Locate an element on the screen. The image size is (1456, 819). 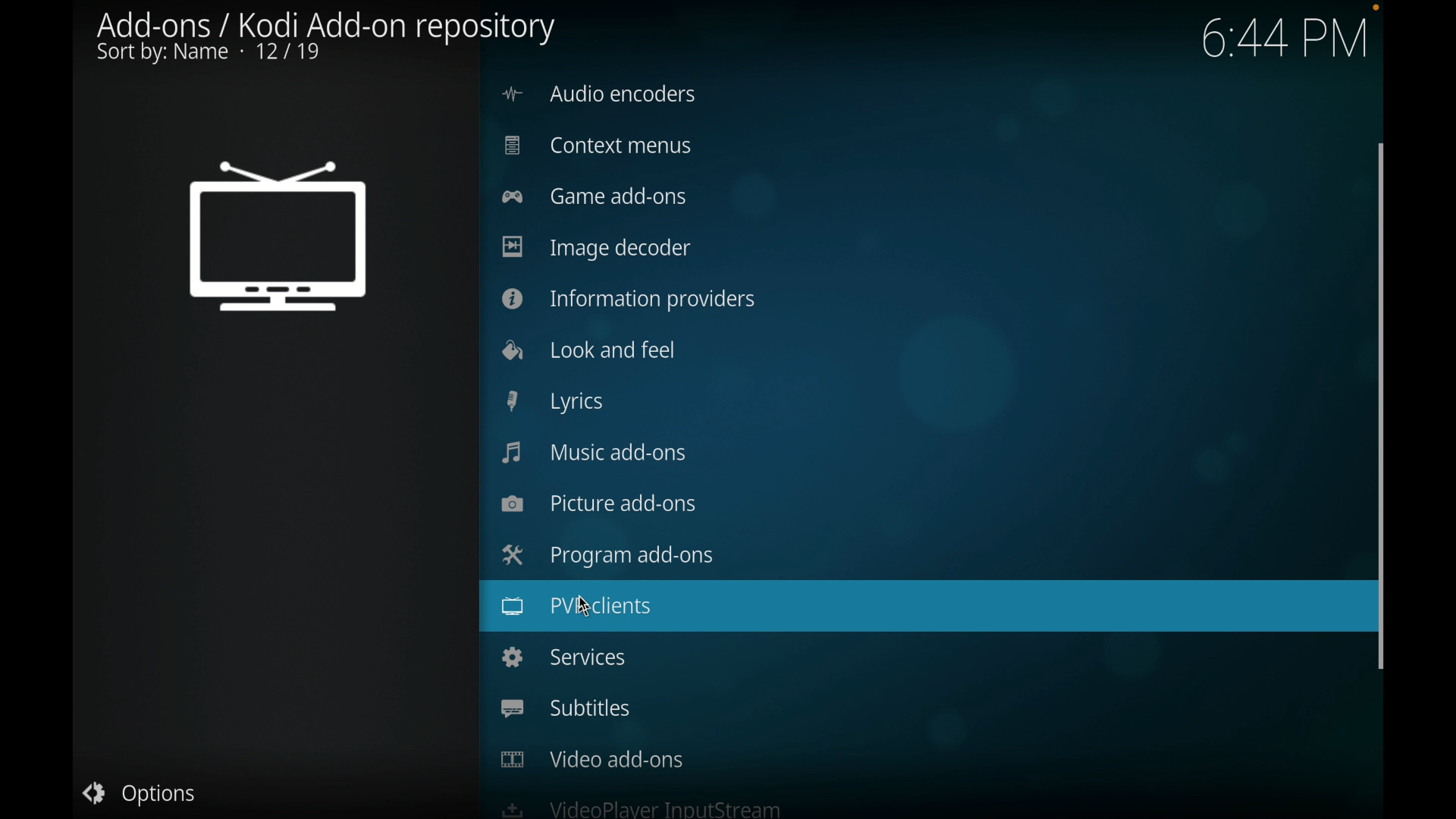
pvr clients is located at coordinates (576, 607).